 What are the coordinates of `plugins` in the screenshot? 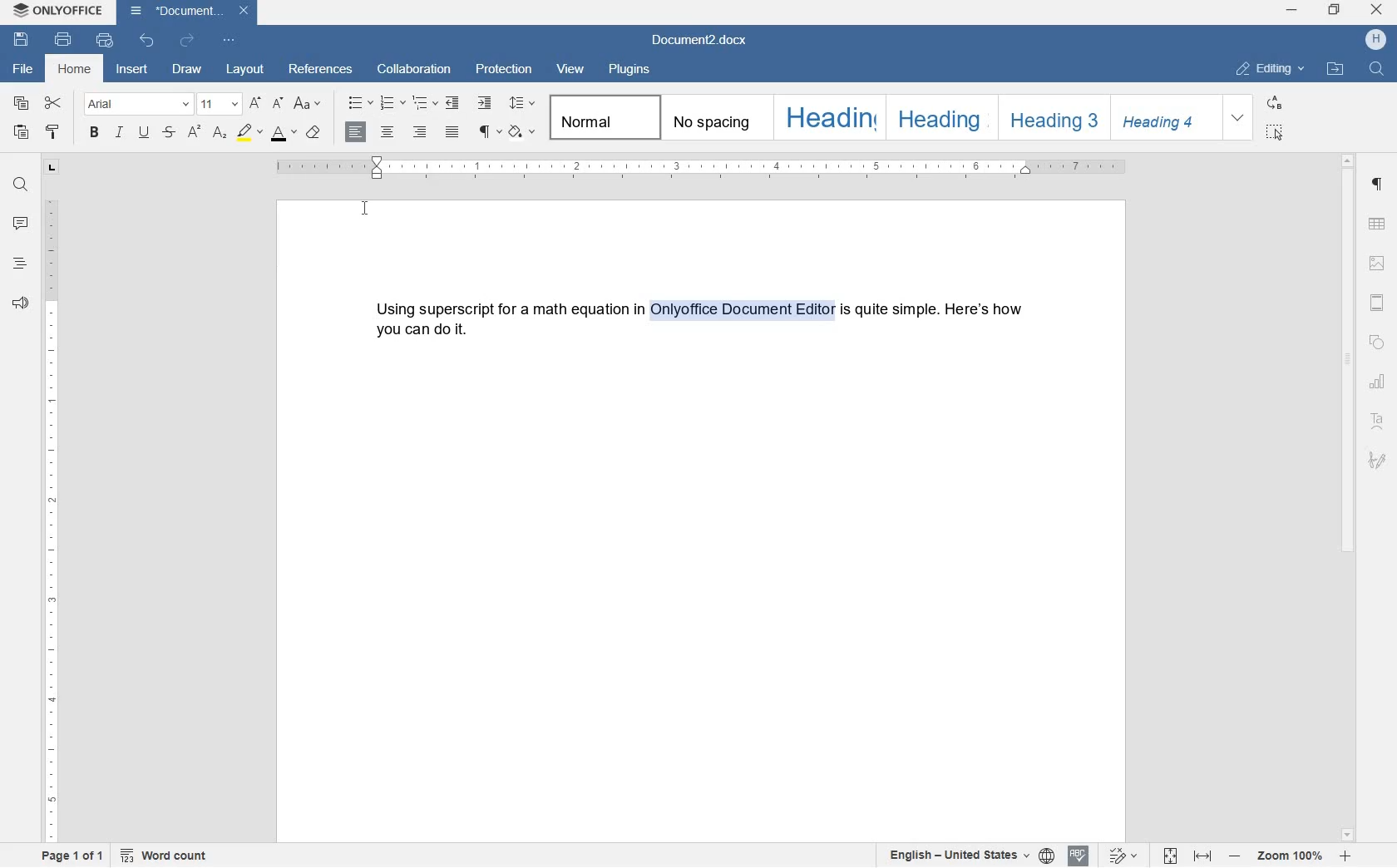 It's located at (631, 70).